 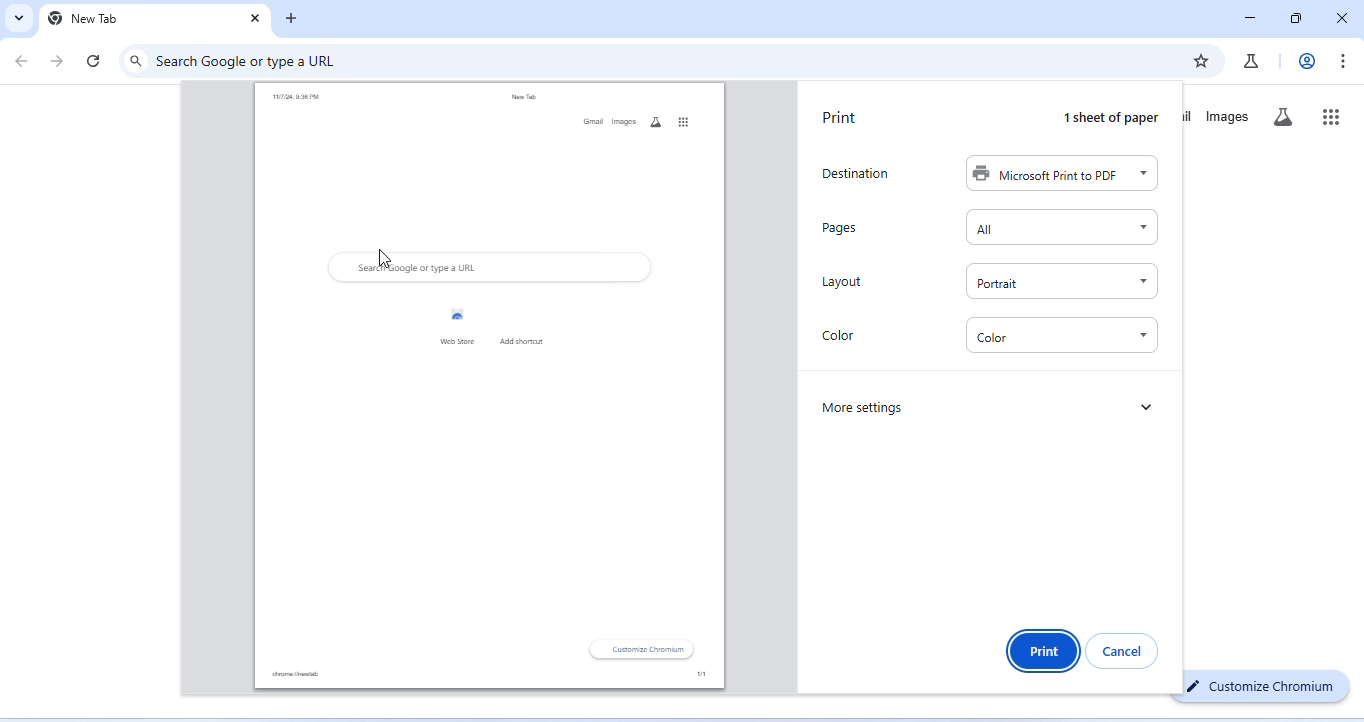 What do you see at coordinates (528, 326) in the screenshot?
I see `add shortcut` at bounding box center [528, 326].